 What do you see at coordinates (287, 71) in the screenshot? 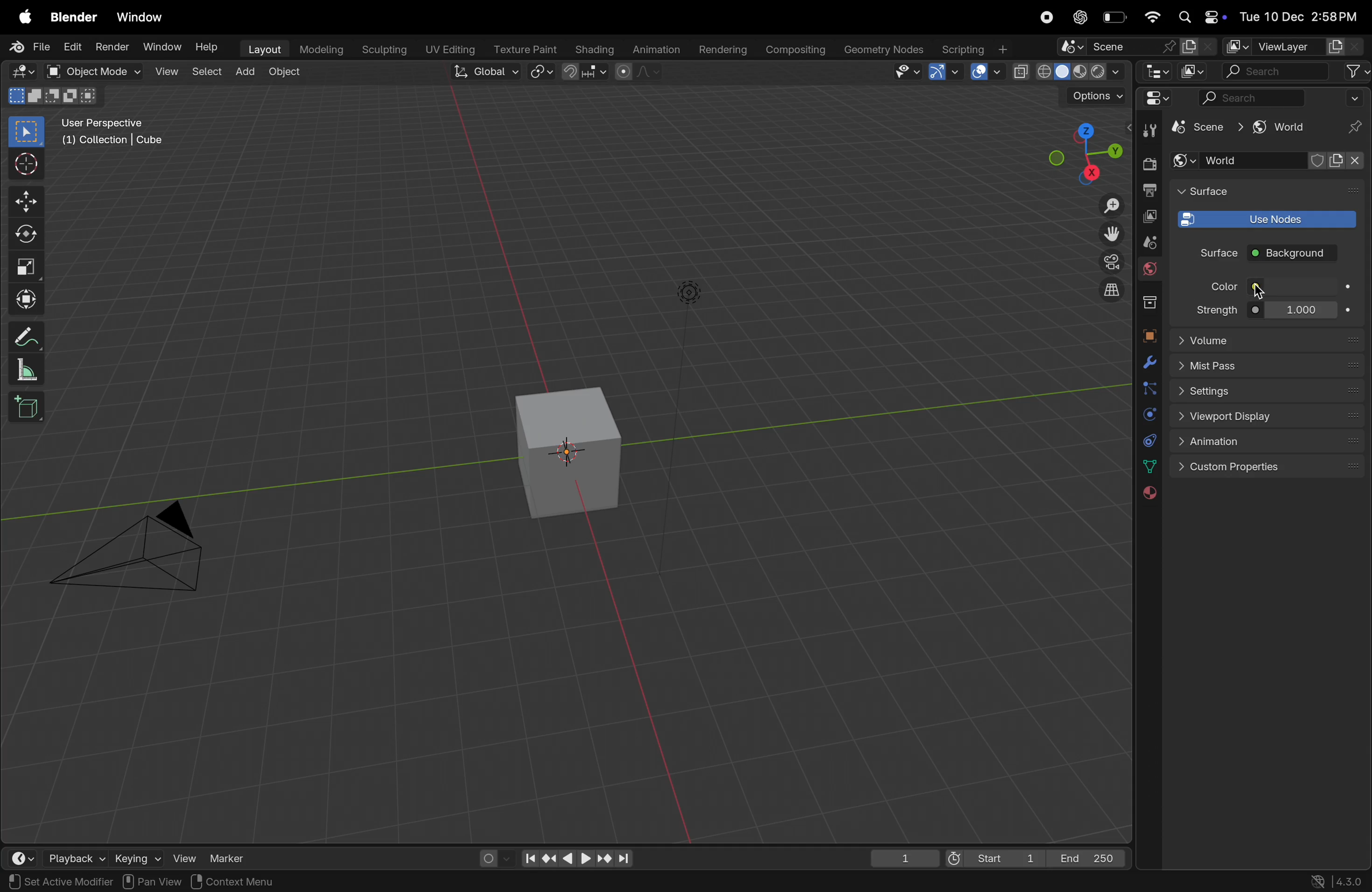
I see `Object` at bounding box center [287, 71].